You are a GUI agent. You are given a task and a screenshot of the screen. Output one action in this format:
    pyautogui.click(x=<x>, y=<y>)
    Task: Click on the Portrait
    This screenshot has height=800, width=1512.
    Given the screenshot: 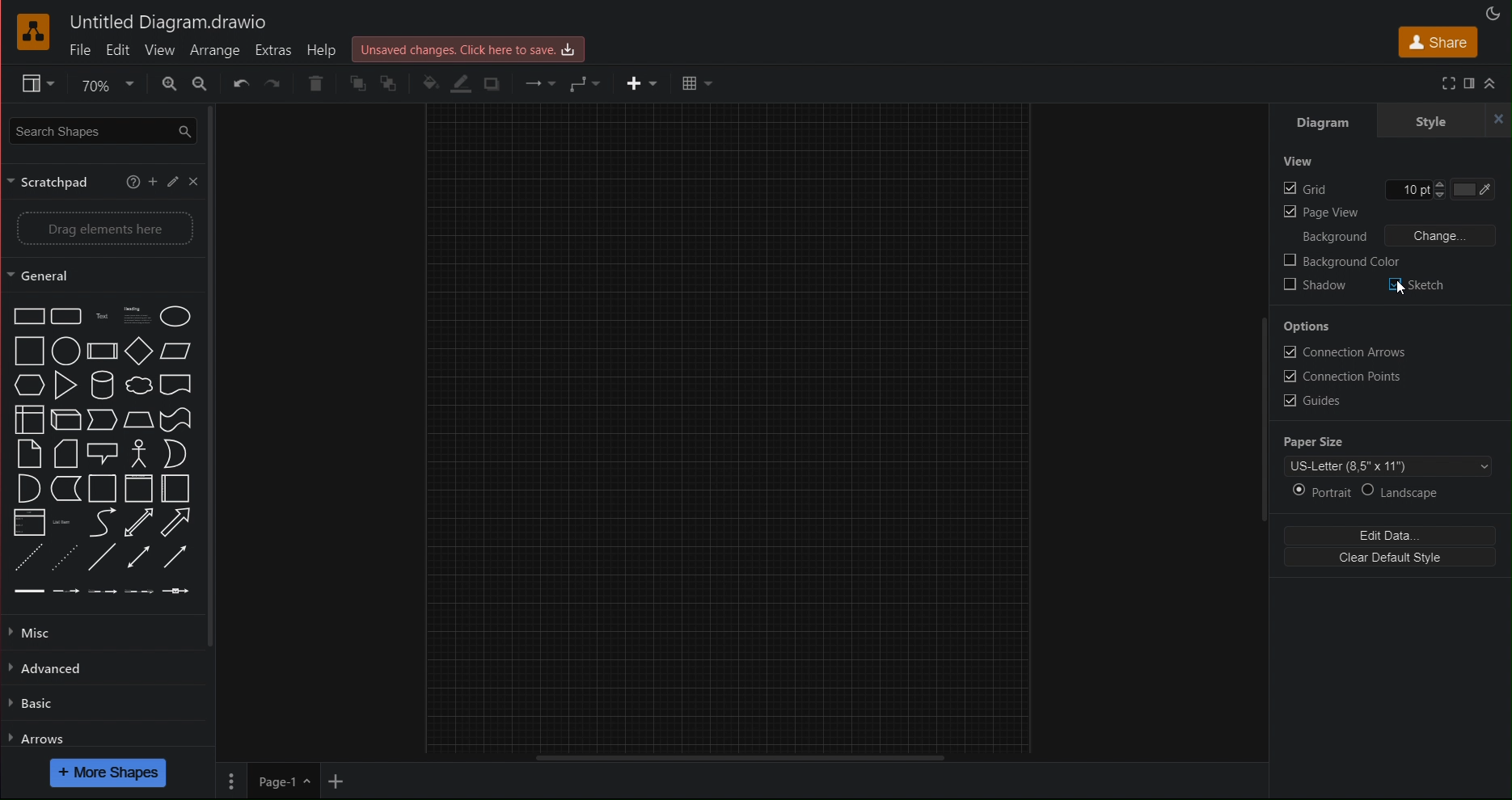 What is the action you would take?
    pyautogui.click(x=1316, y=492)
    